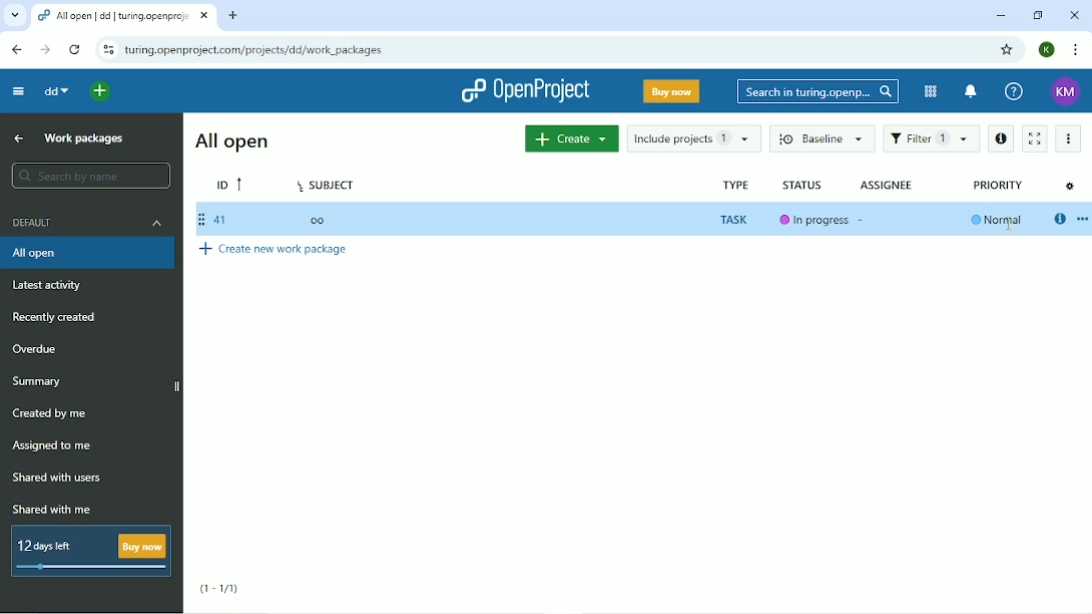  I want to click on (1-1/1), so click(222, 590).